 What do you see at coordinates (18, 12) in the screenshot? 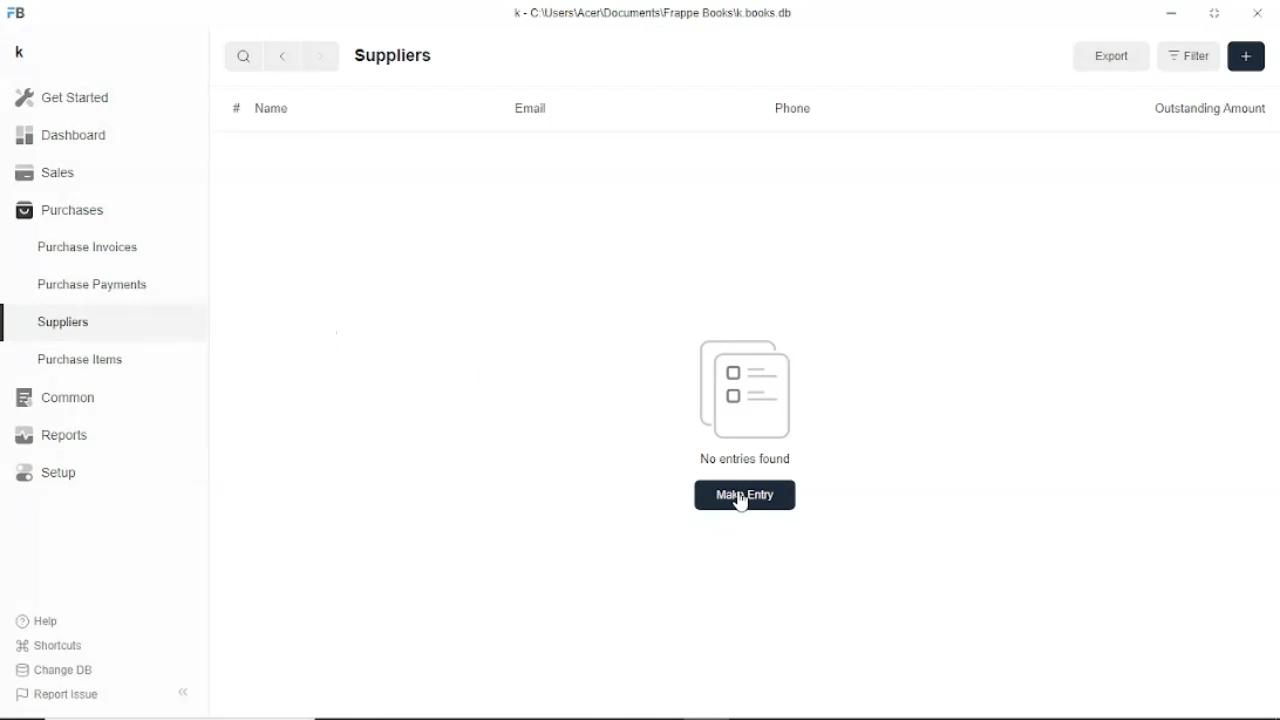
I see `FB` at bounding box center [18, 12].